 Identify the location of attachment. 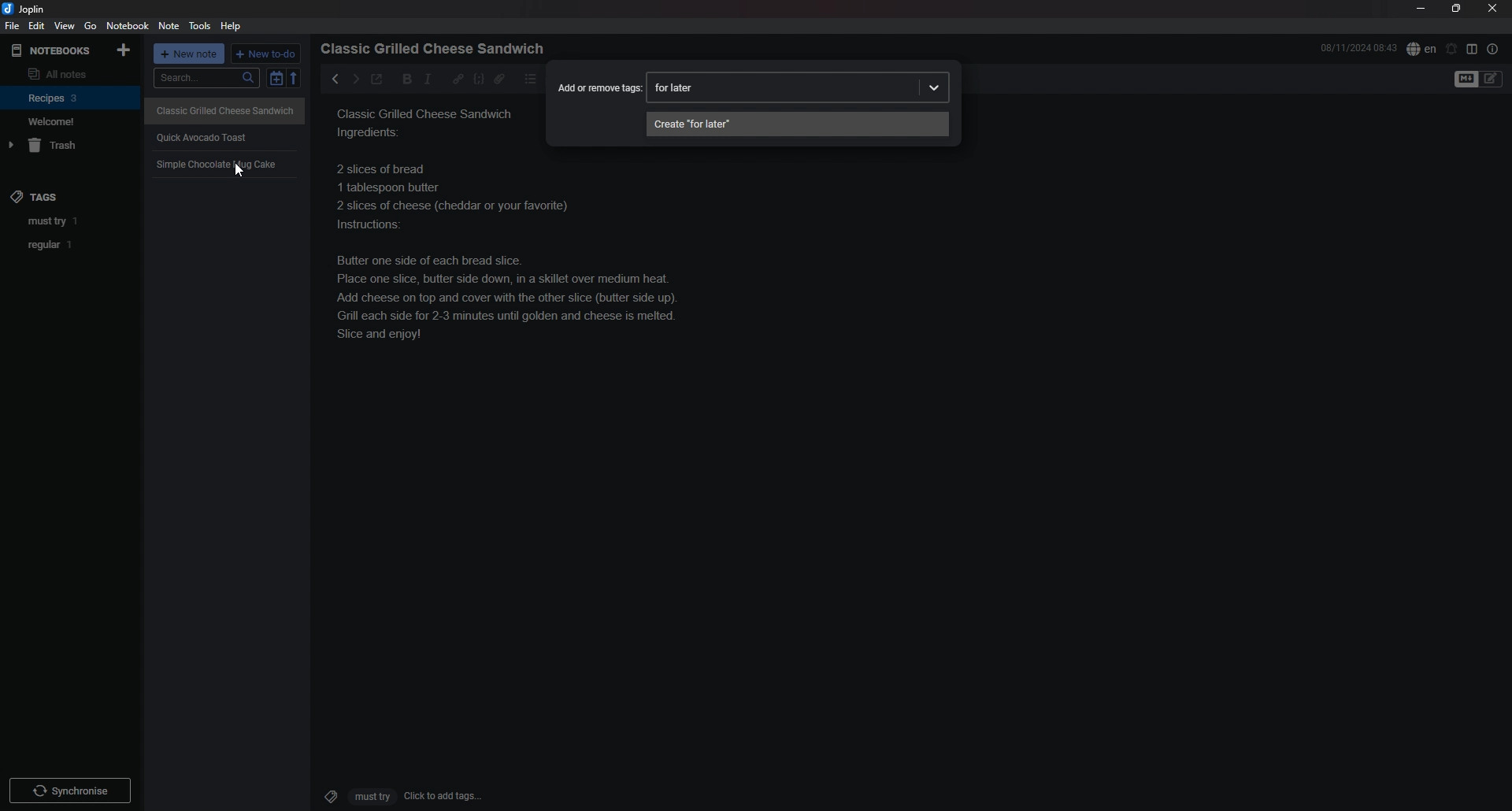
(499, 79).